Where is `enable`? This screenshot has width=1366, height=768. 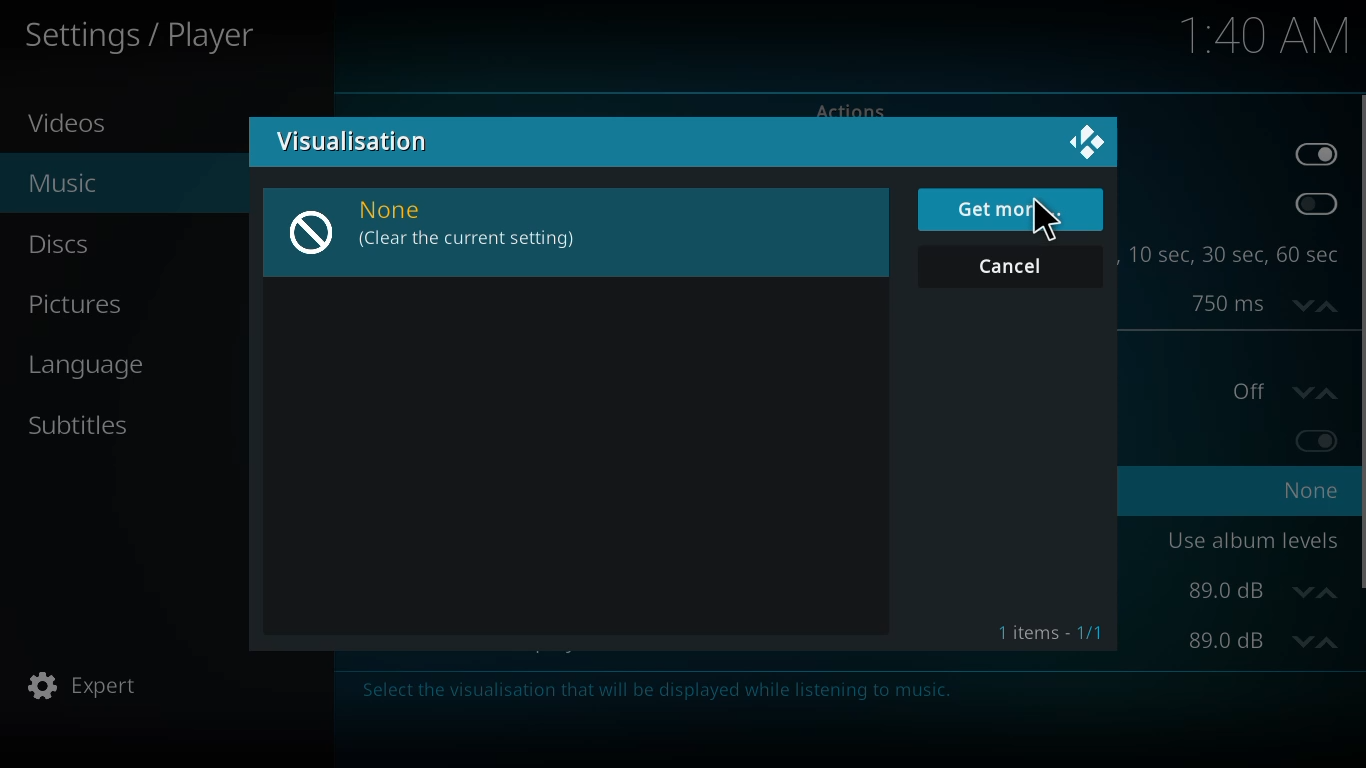 enable is located at coordinates (1312, 205).